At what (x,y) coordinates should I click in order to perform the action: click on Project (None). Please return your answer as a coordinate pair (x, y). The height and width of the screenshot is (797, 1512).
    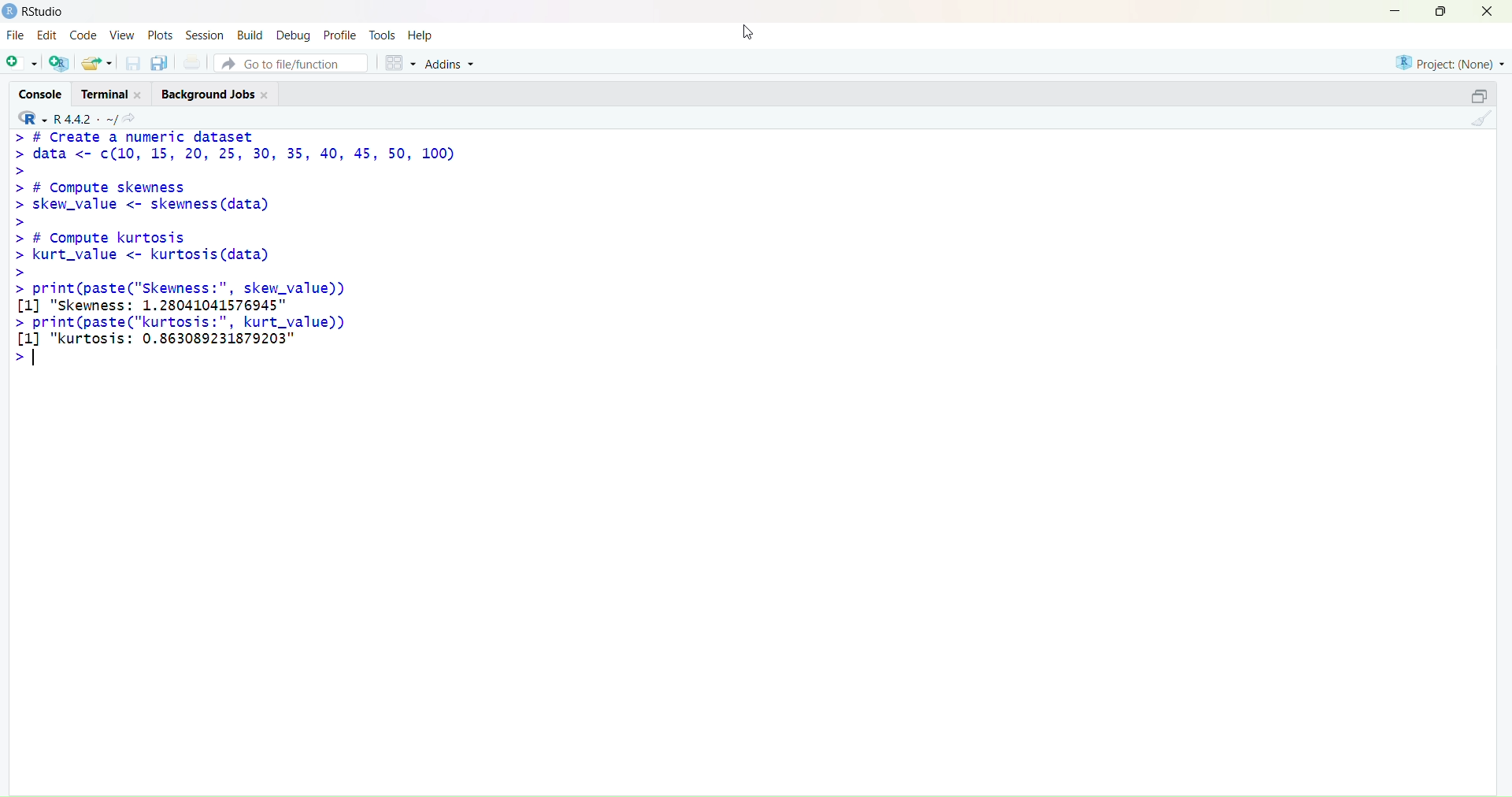
    Looking at the image, I should click on (1450, 65).